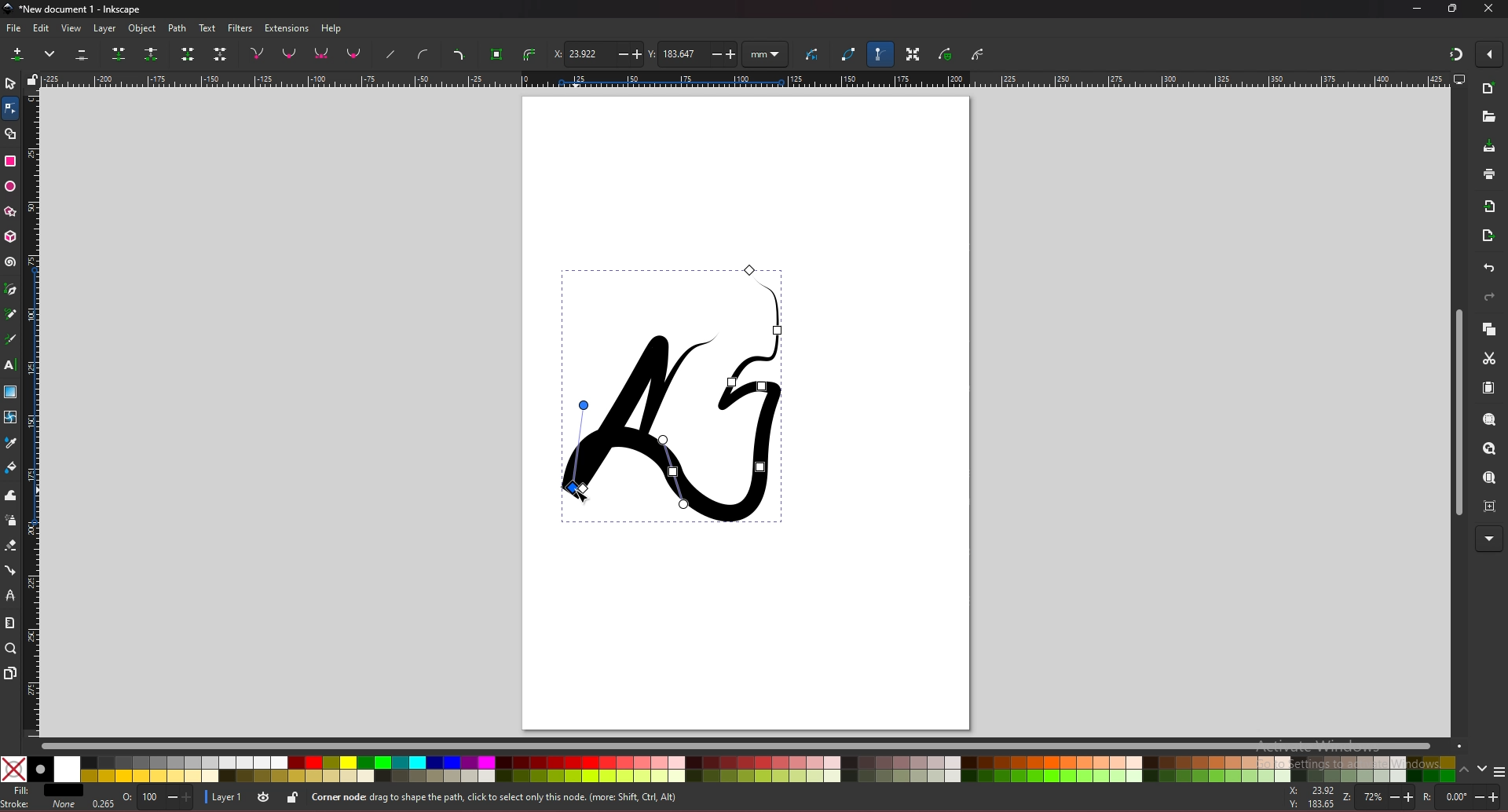 This screenshot has height=812, width=1508. I want to click on redo, so click(1489, 297).